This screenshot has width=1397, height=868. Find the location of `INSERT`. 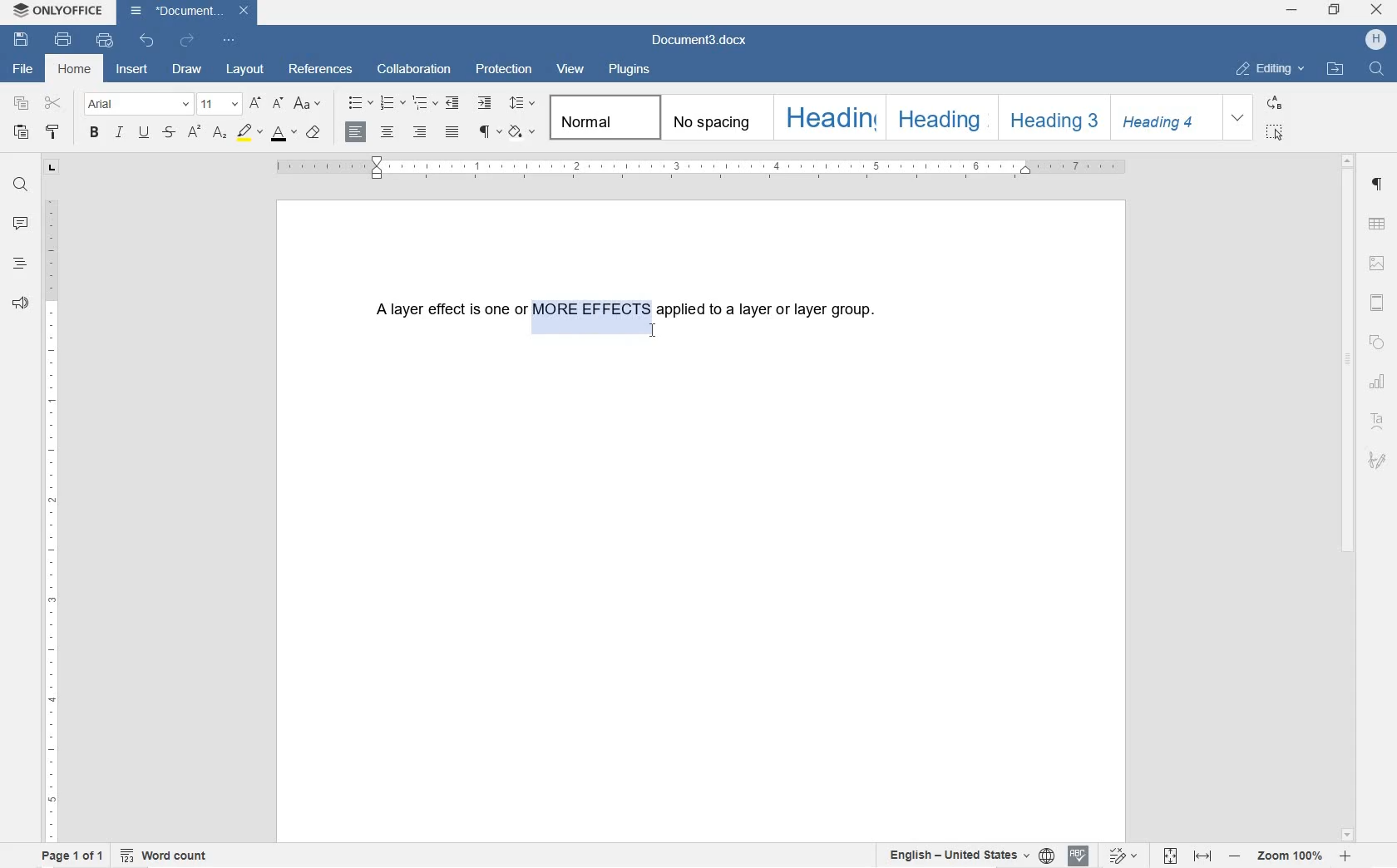

INSERT is located at coordinates (133, 72).